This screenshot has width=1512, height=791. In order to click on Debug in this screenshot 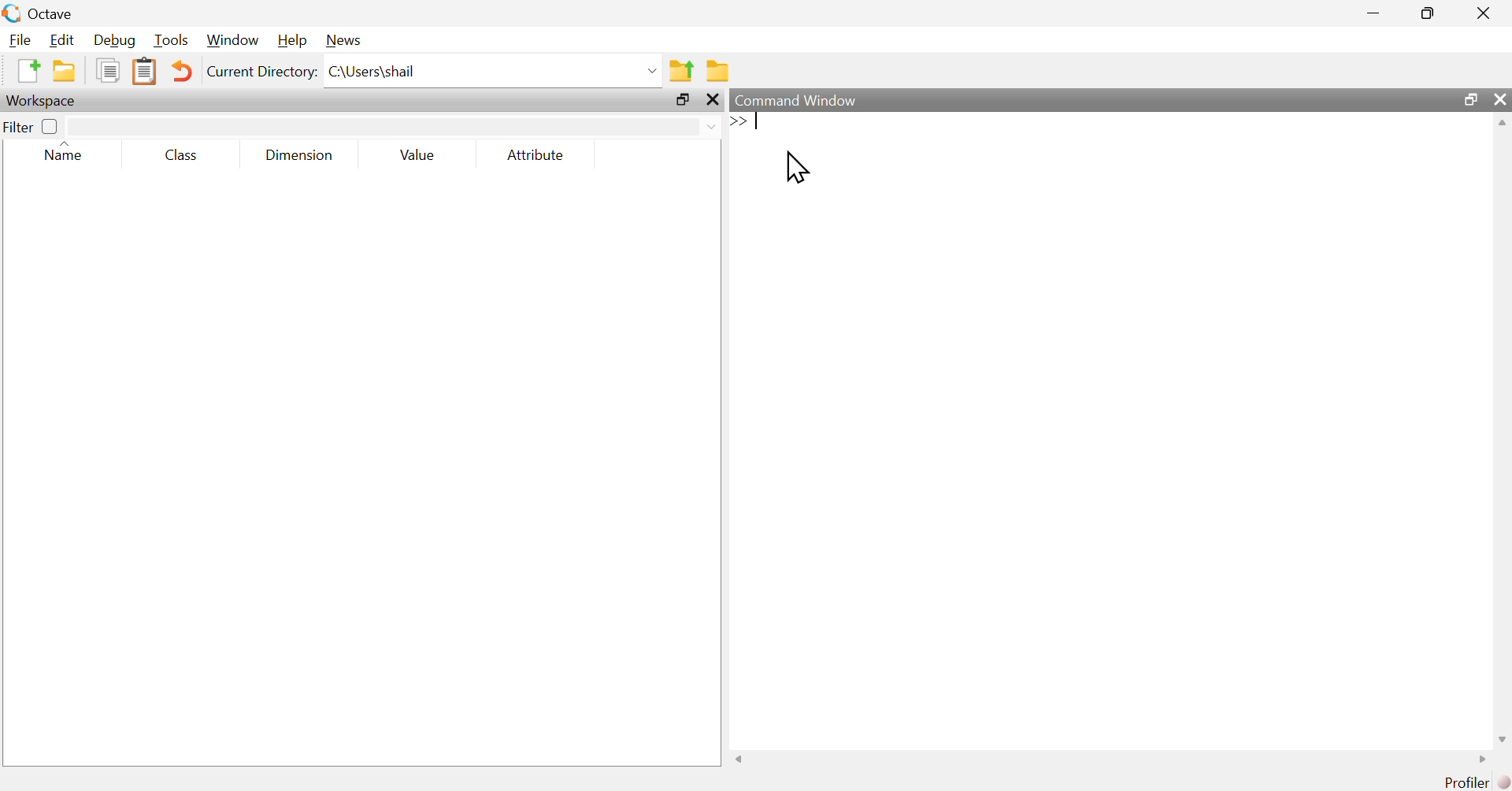, I will do `click(113, 40)`.